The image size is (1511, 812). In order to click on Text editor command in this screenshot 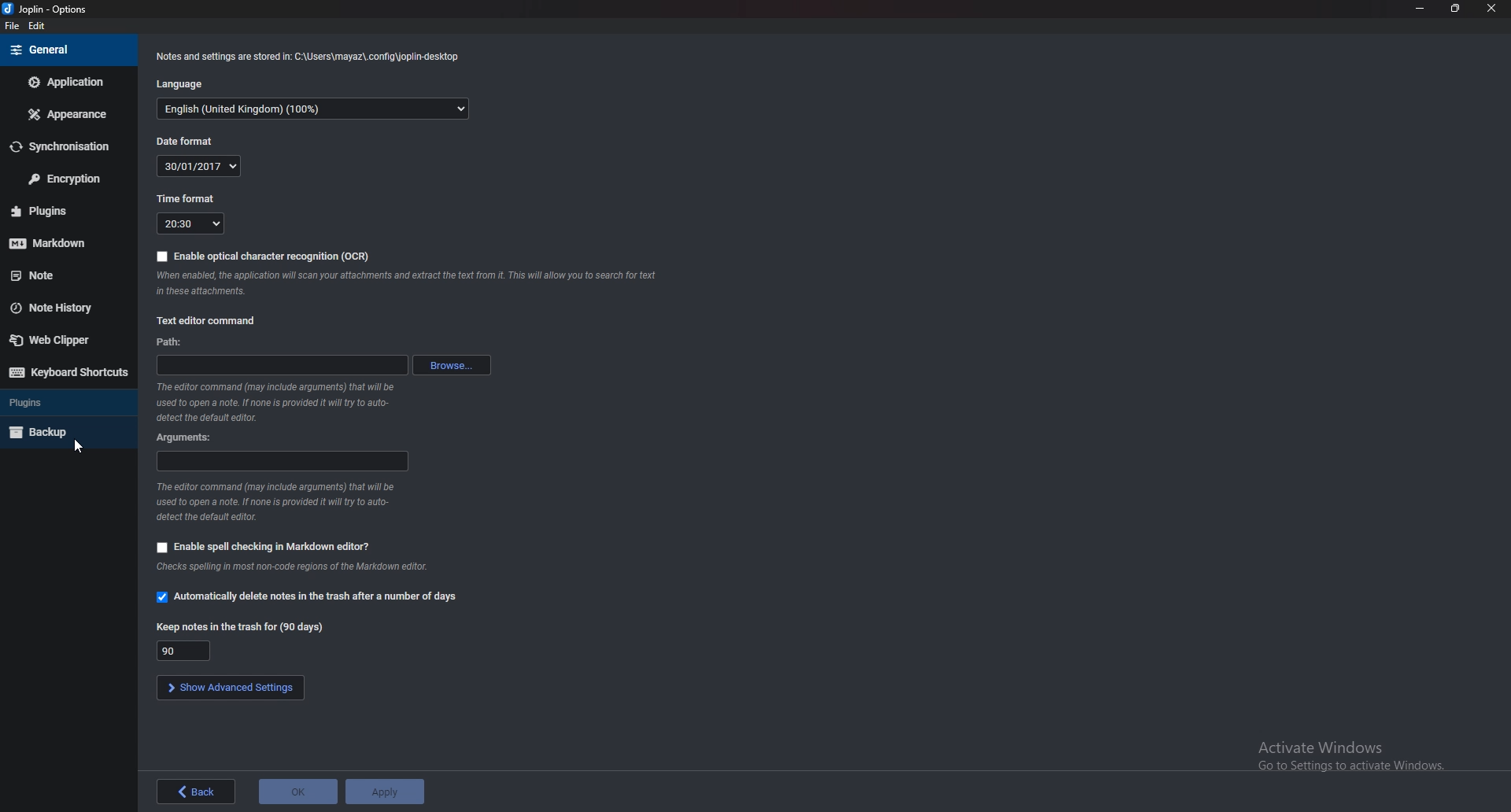, I will do `click(209, 321)`.